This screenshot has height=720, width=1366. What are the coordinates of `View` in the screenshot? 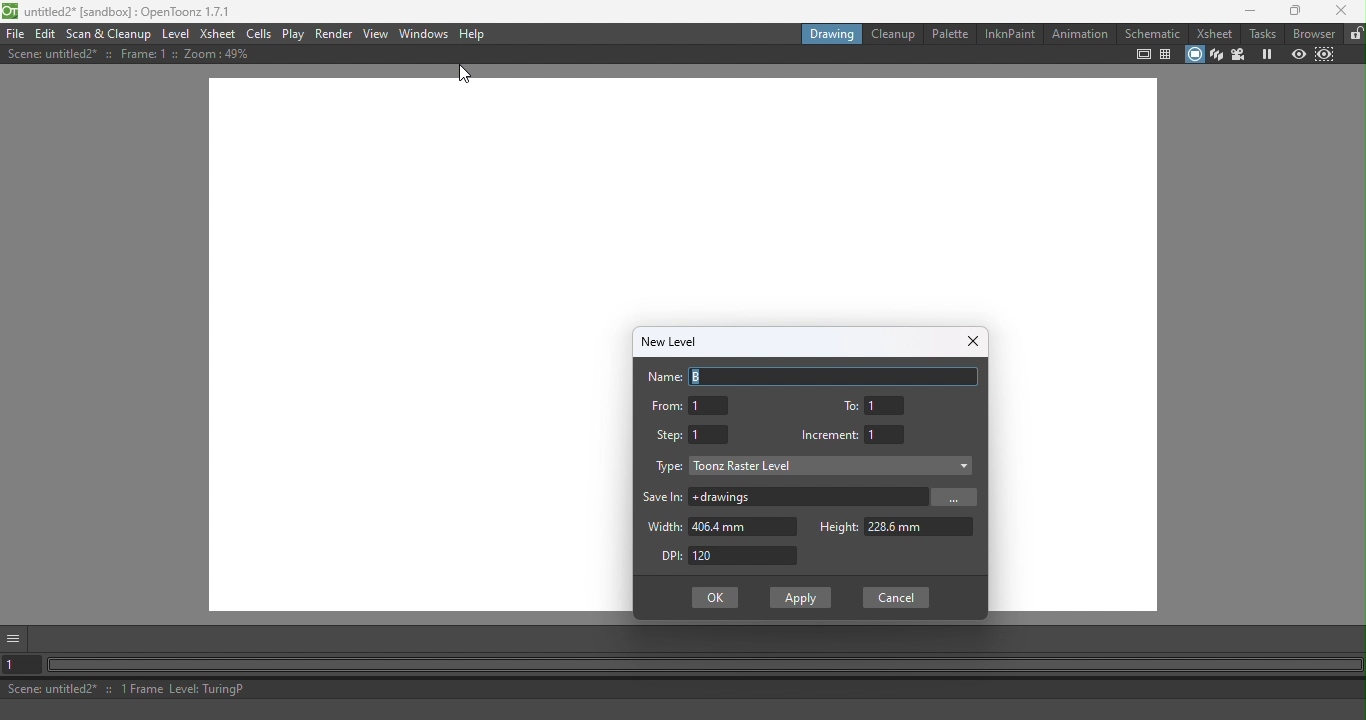 It's located at (376, 35).